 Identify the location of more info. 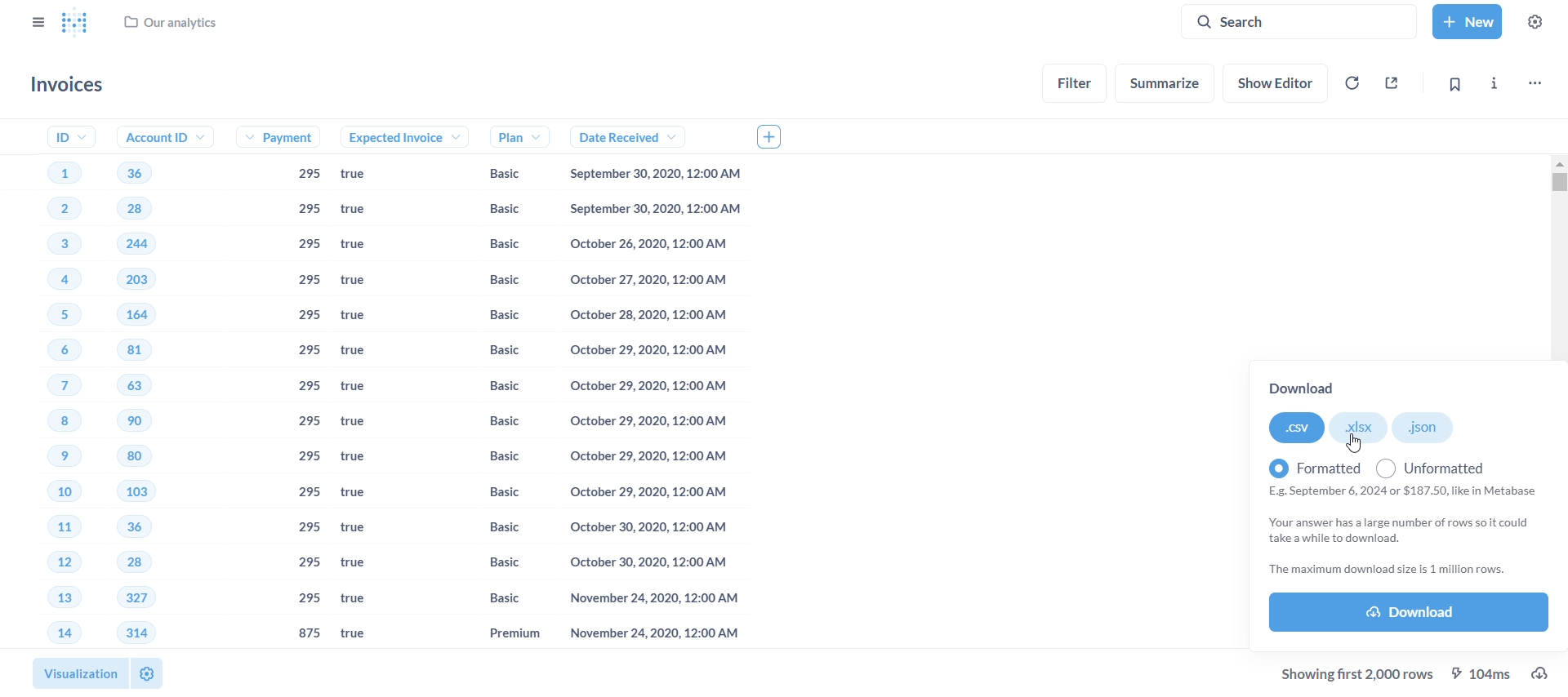
(1493, 81).